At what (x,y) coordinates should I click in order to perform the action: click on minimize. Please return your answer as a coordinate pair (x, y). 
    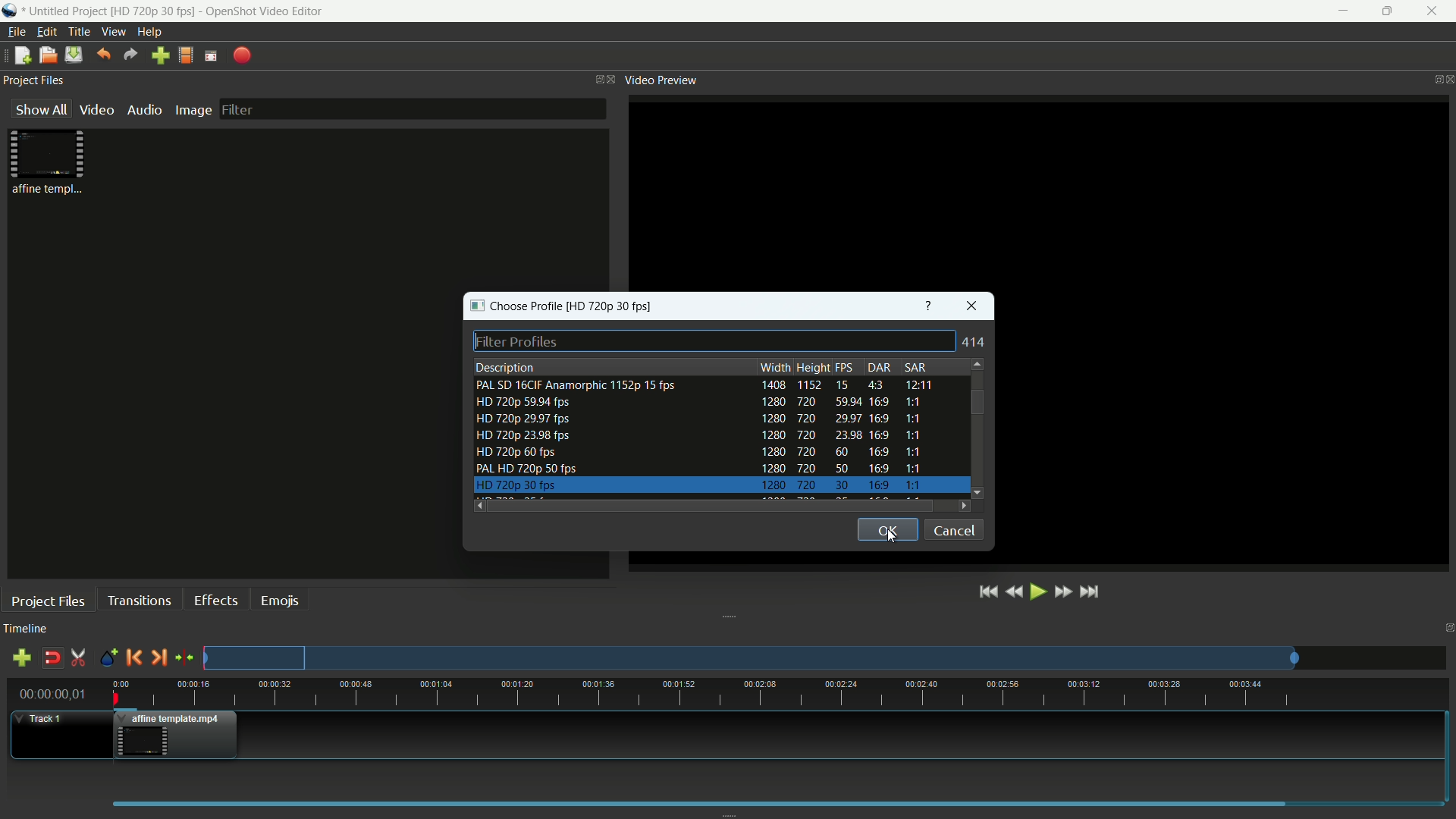
    Looking at the image, I should click on (1341, 11).